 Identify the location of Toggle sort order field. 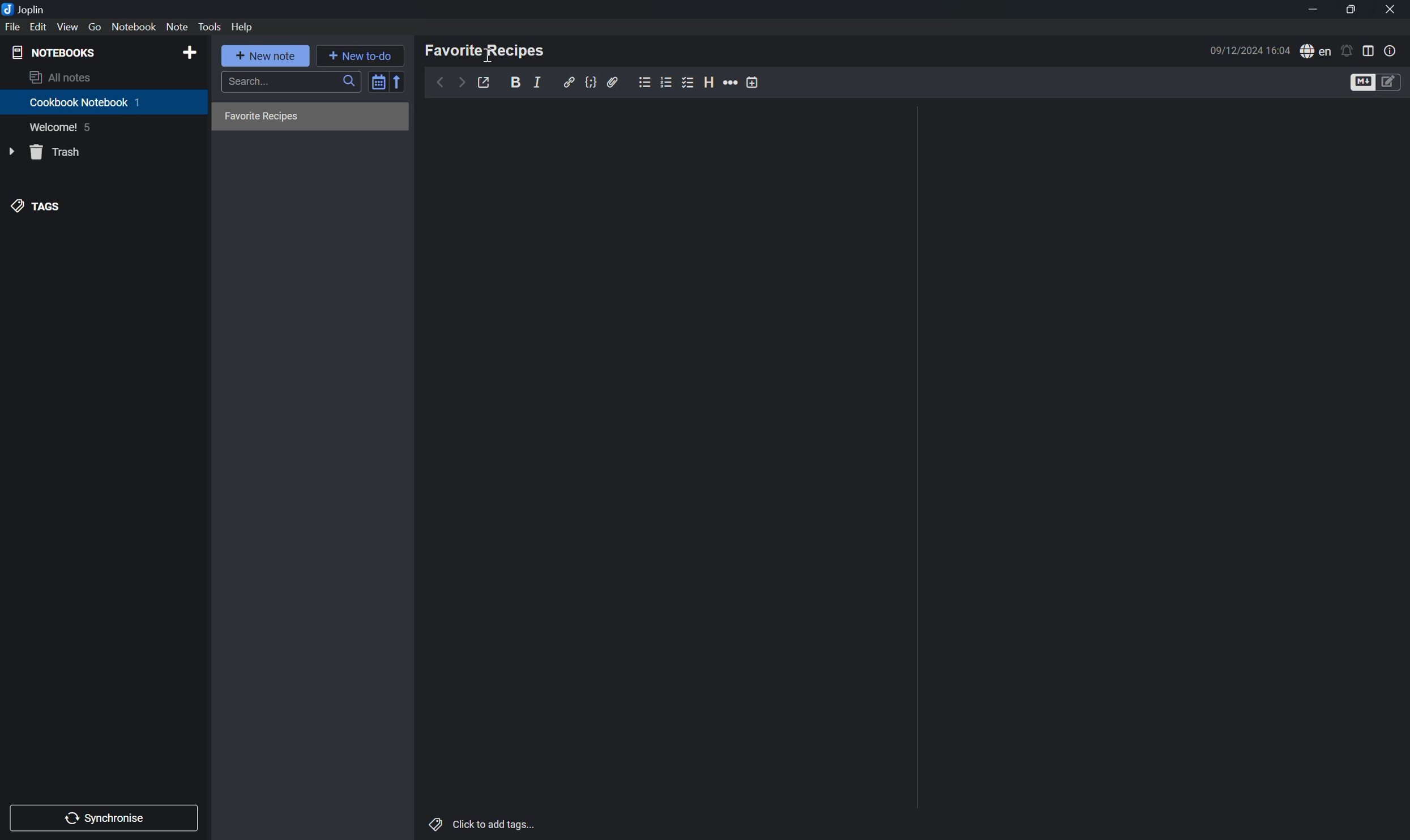
(377, 84).